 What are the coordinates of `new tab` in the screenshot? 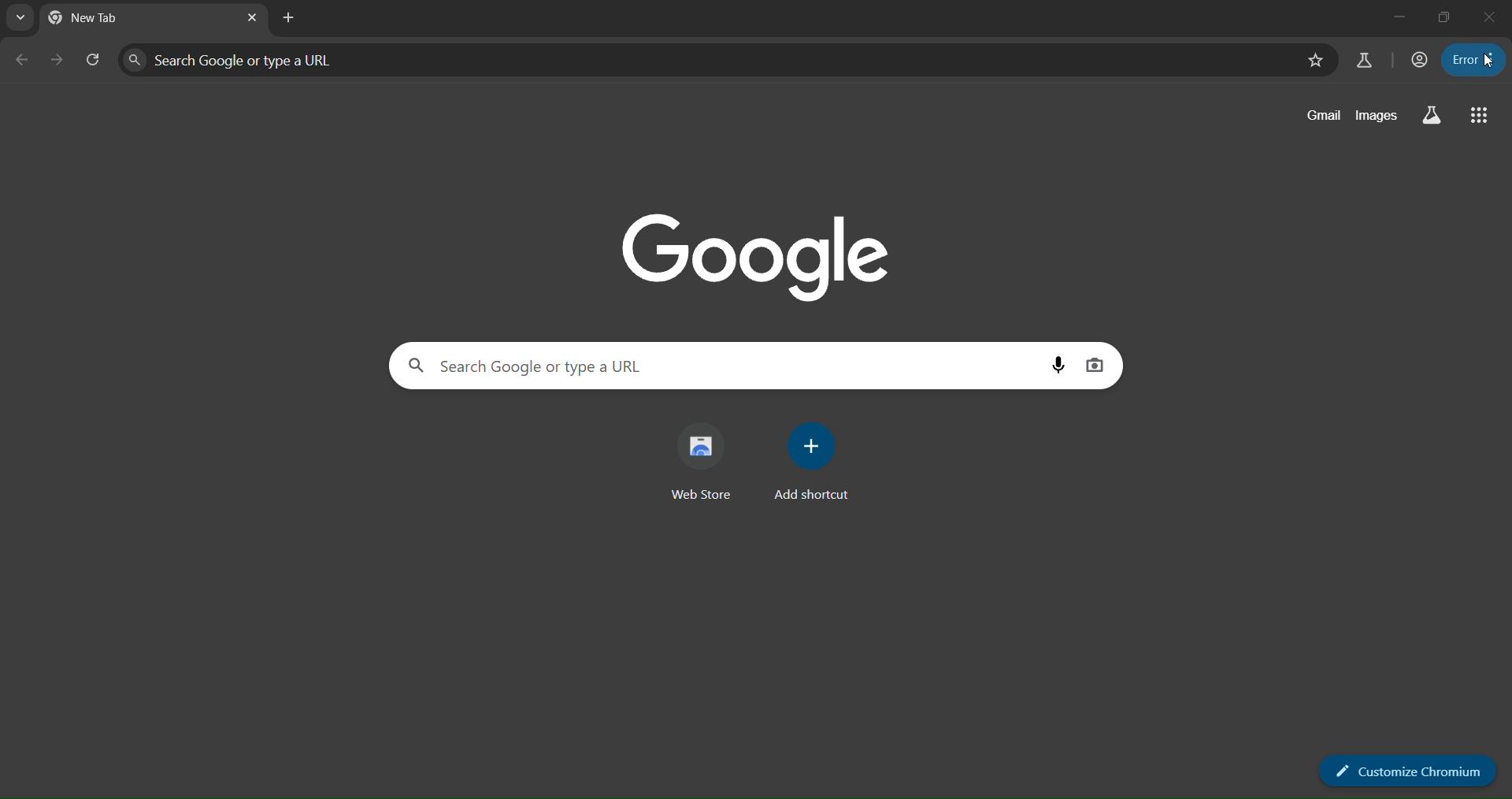 It's located at (290, 19).